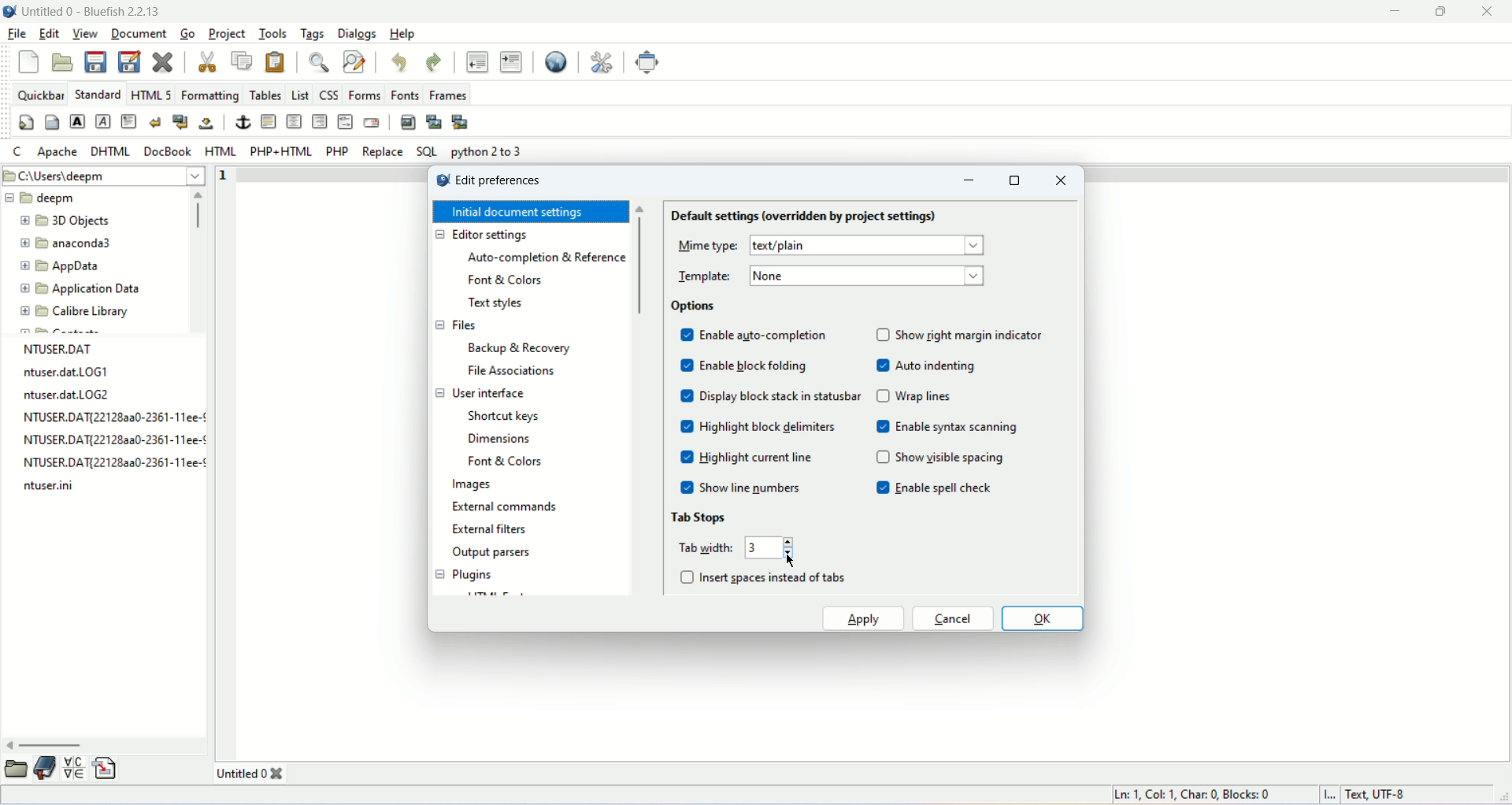  Describe the element at coordinates (758, 367) in the screenshot. I see `enable block folding` at that location.